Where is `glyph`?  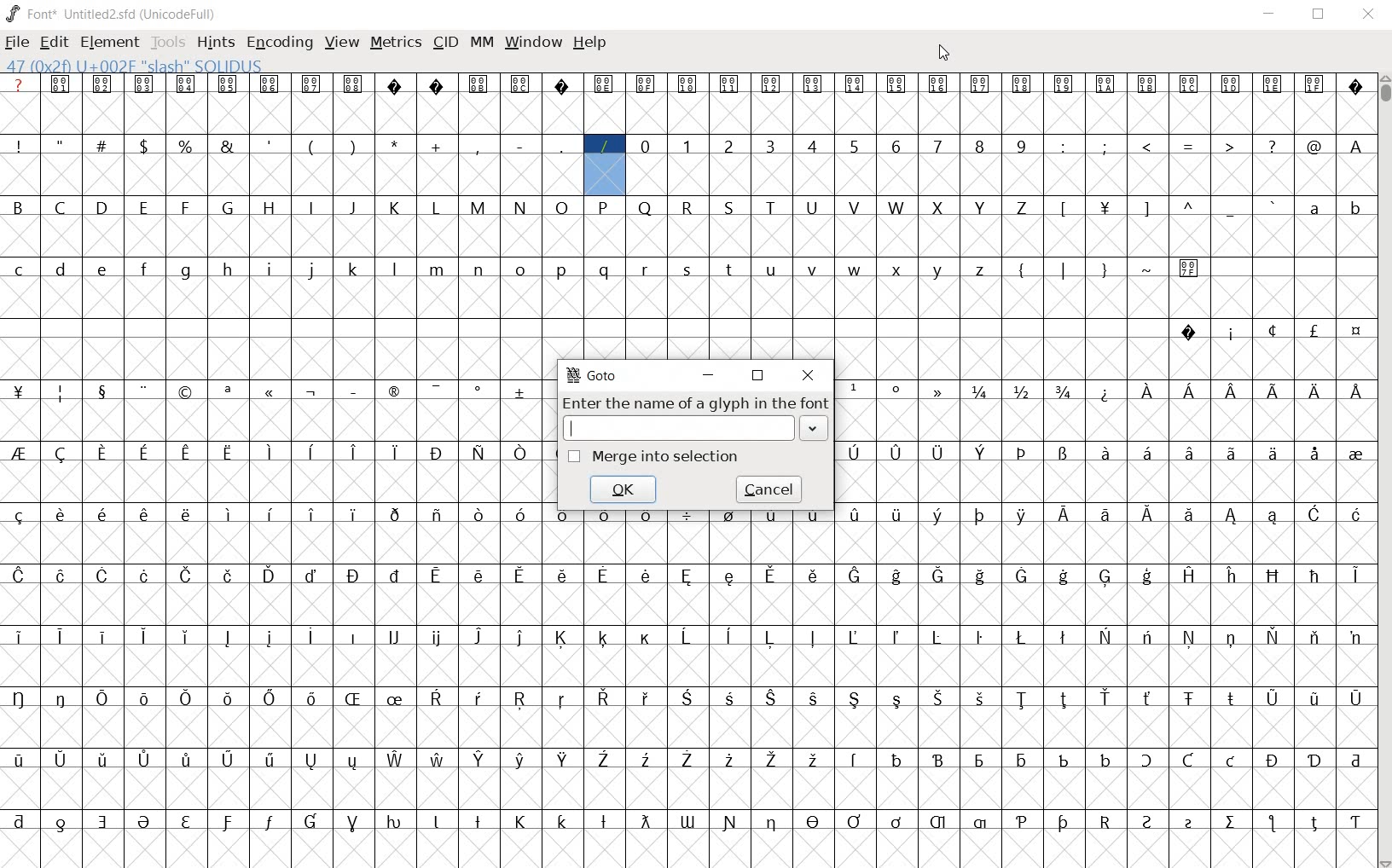
glyph is located at coordinates (686, 697).